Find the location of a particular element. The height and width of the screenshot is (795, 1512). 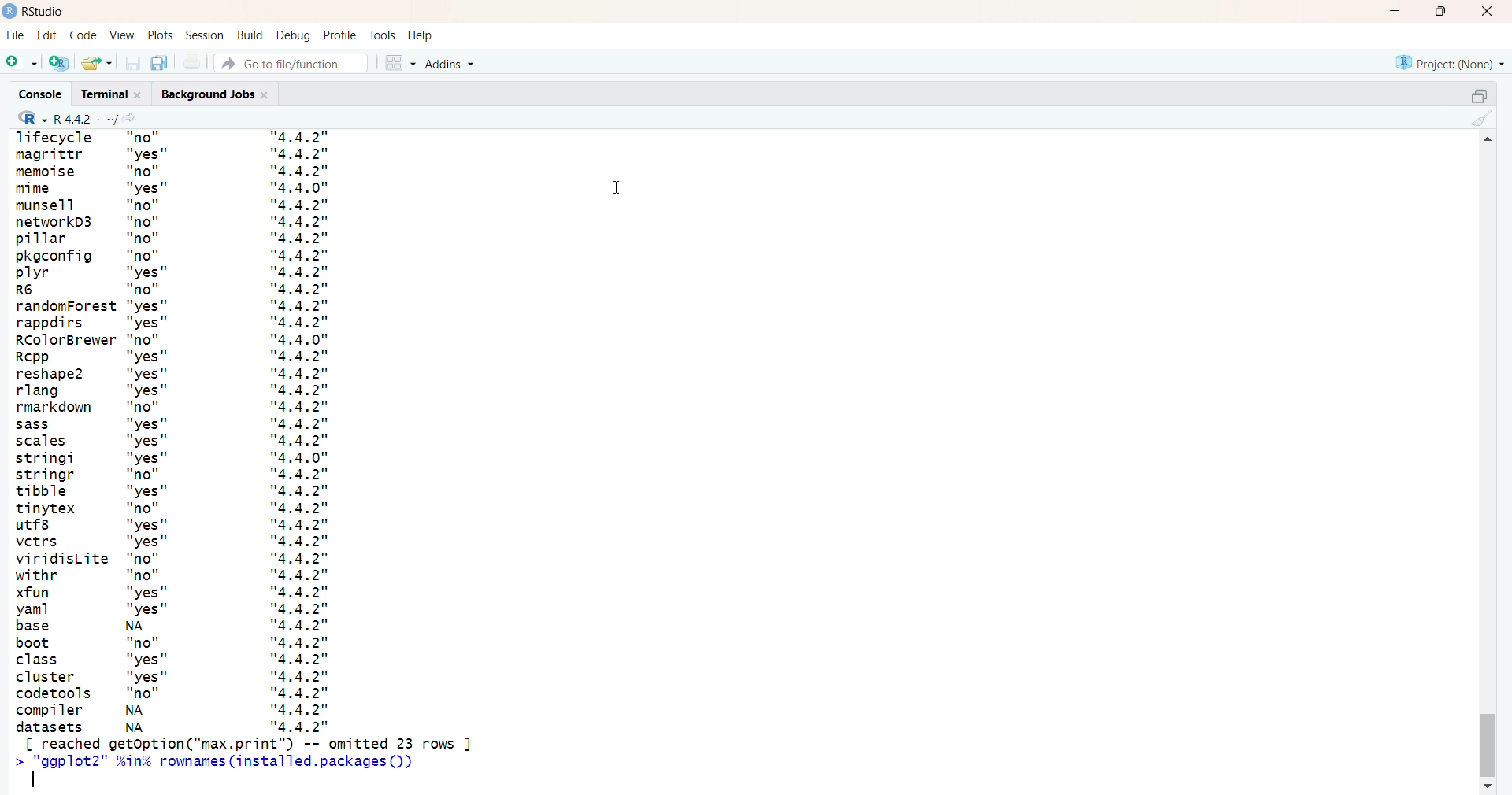

debug is located at coordinates (294, 35).